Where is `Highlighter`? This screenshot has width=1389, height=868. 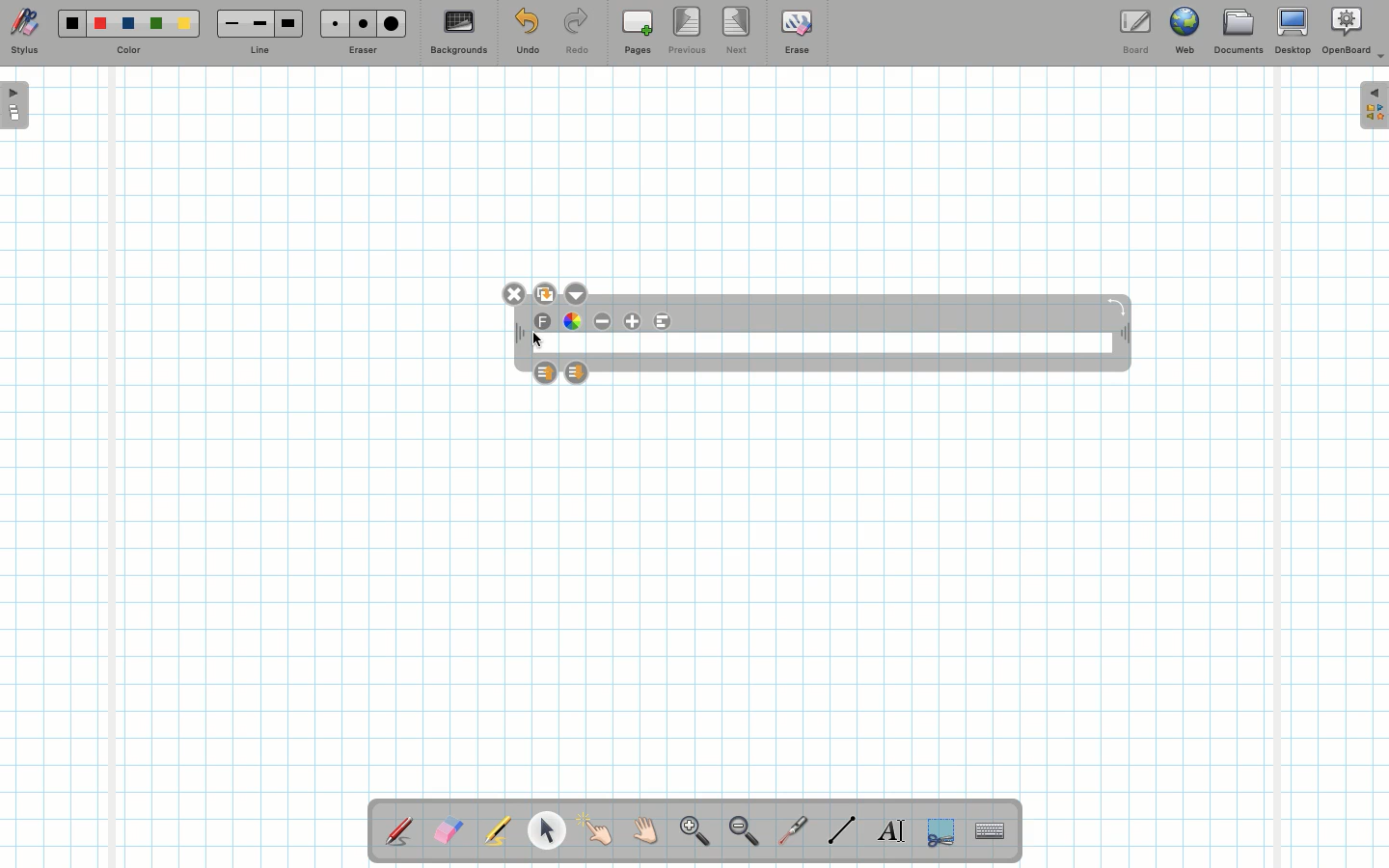 Highlighter is located at coordinates (496, 832).